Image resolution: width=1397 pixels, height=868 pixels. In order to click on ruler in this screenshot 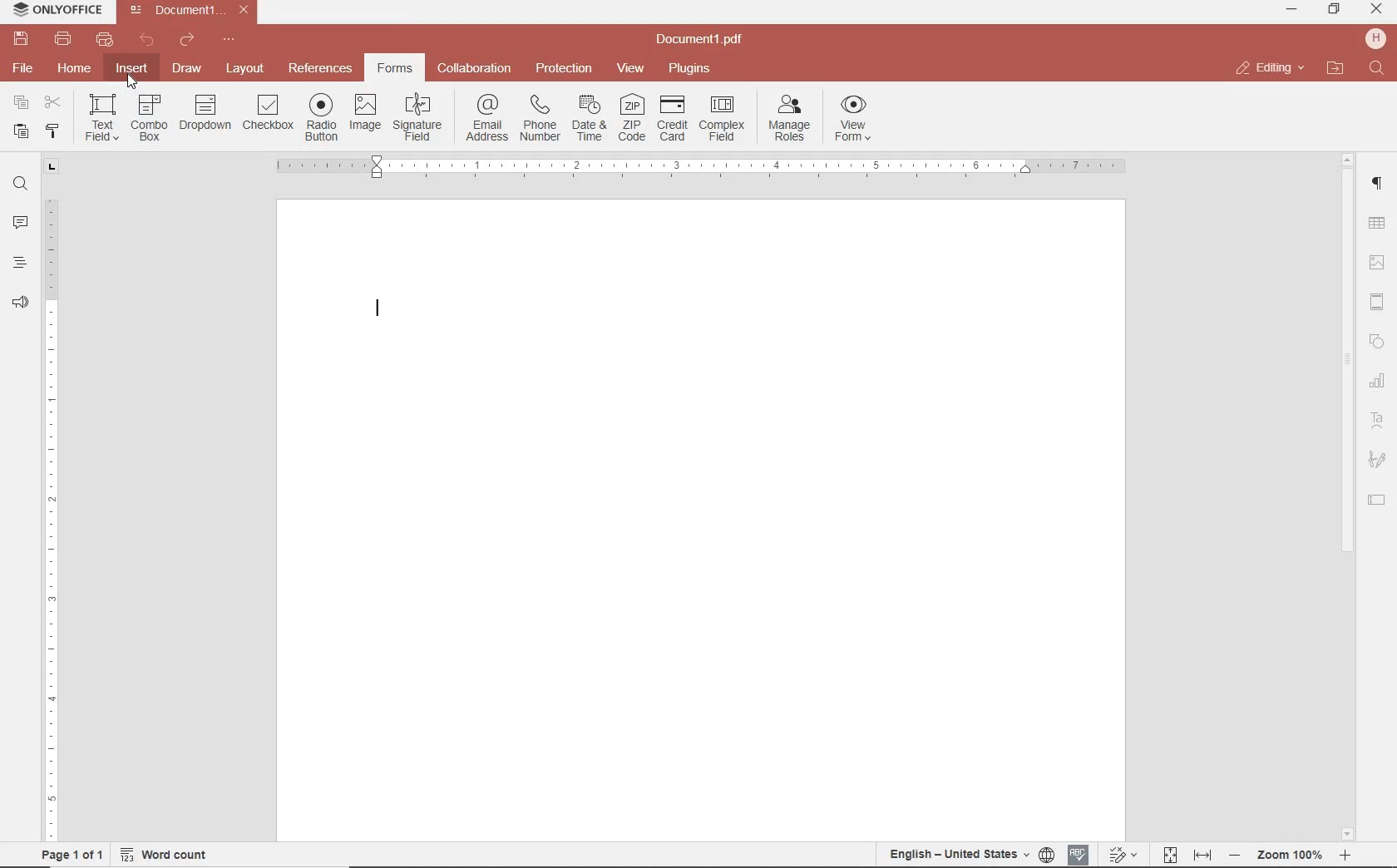, I will do `click(713, 167)`.